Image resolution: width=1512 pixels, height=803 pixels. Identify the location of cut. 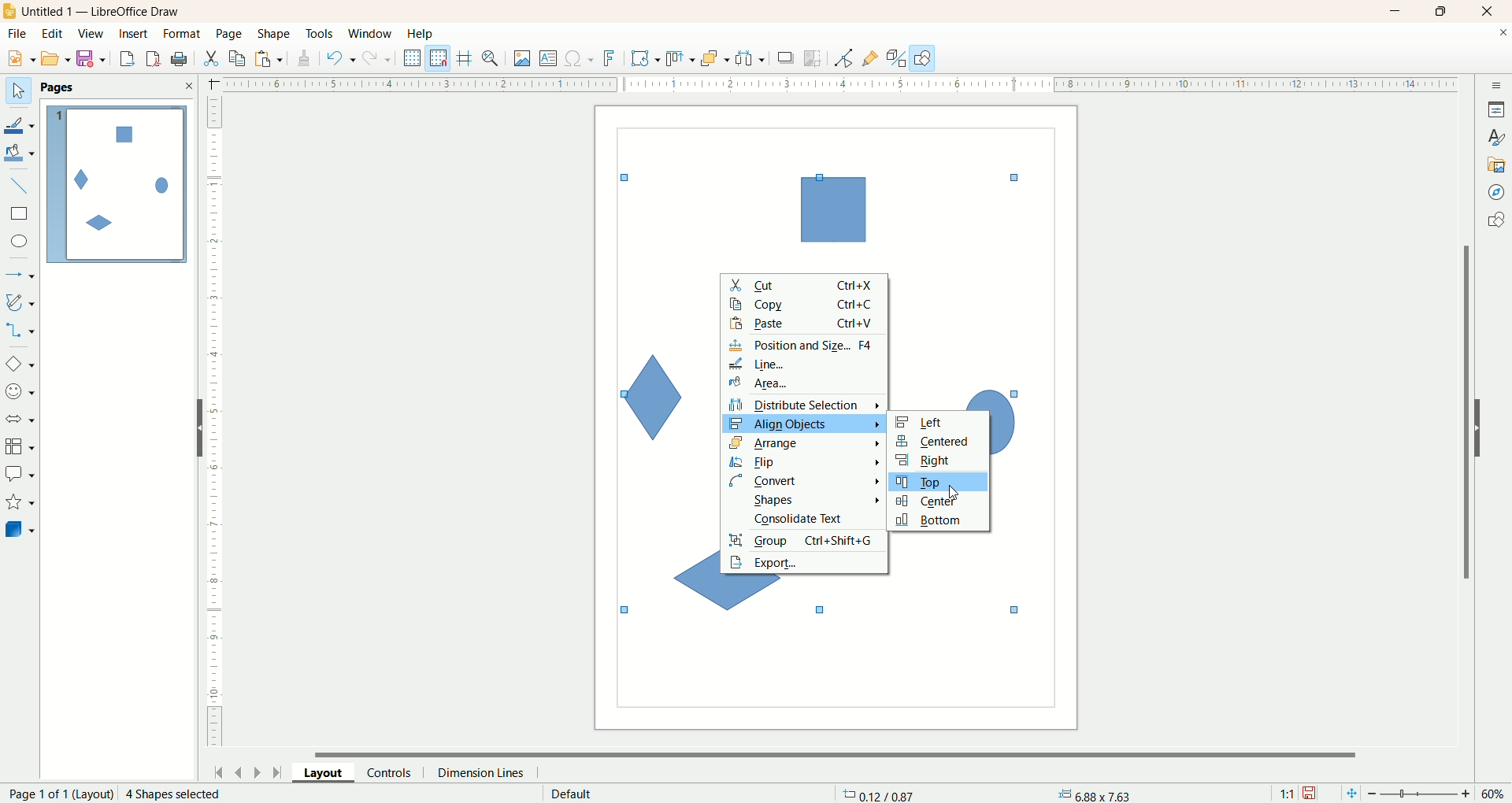
(805, 284).